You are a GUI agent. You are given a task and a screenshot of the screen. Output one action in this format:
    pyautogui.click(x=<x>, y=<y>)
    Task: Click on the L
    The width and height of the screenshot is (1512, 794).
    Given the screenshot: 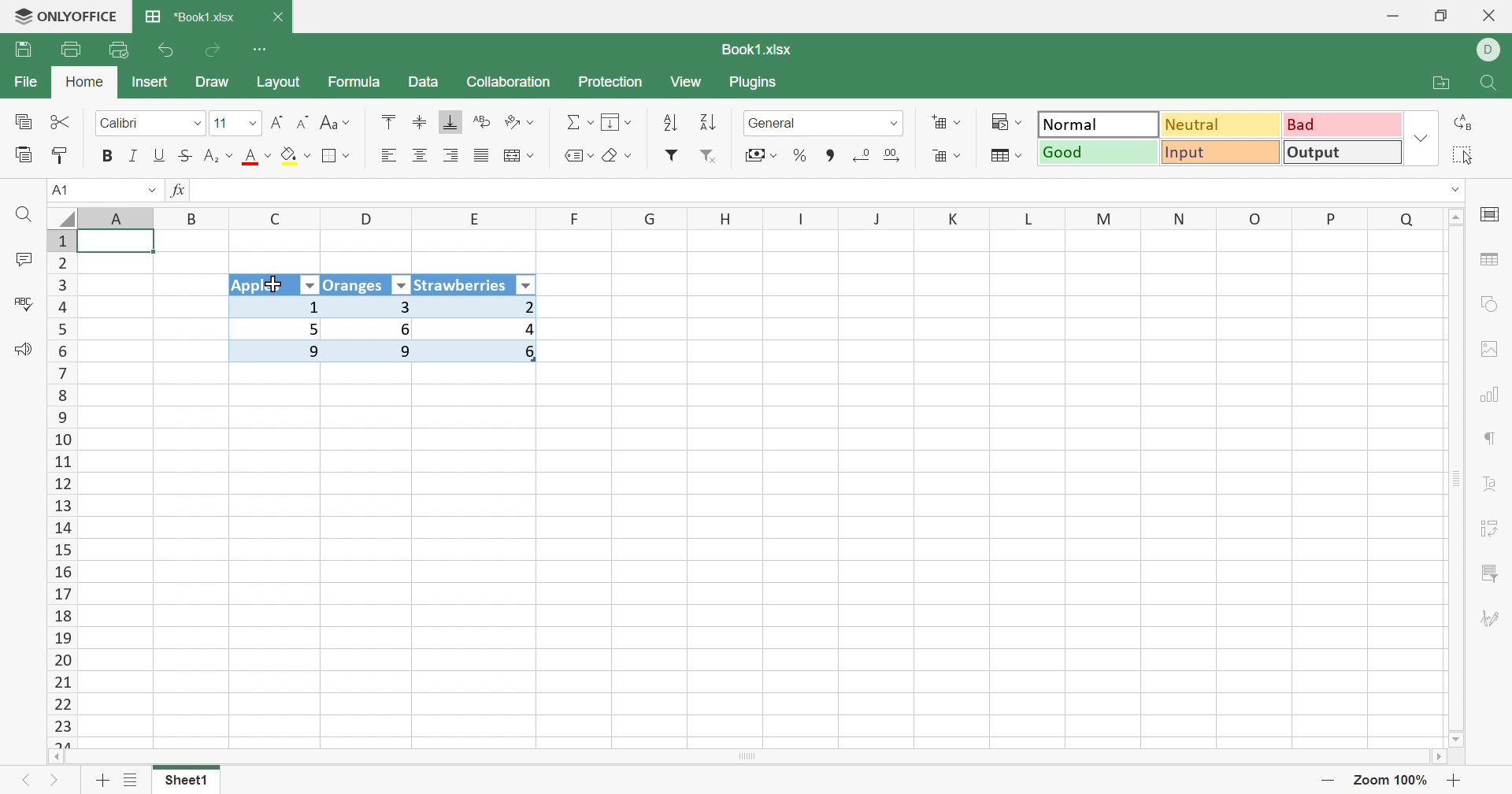 What is the action you would take?
    pyautogui.click(x=1033, y=217)
    